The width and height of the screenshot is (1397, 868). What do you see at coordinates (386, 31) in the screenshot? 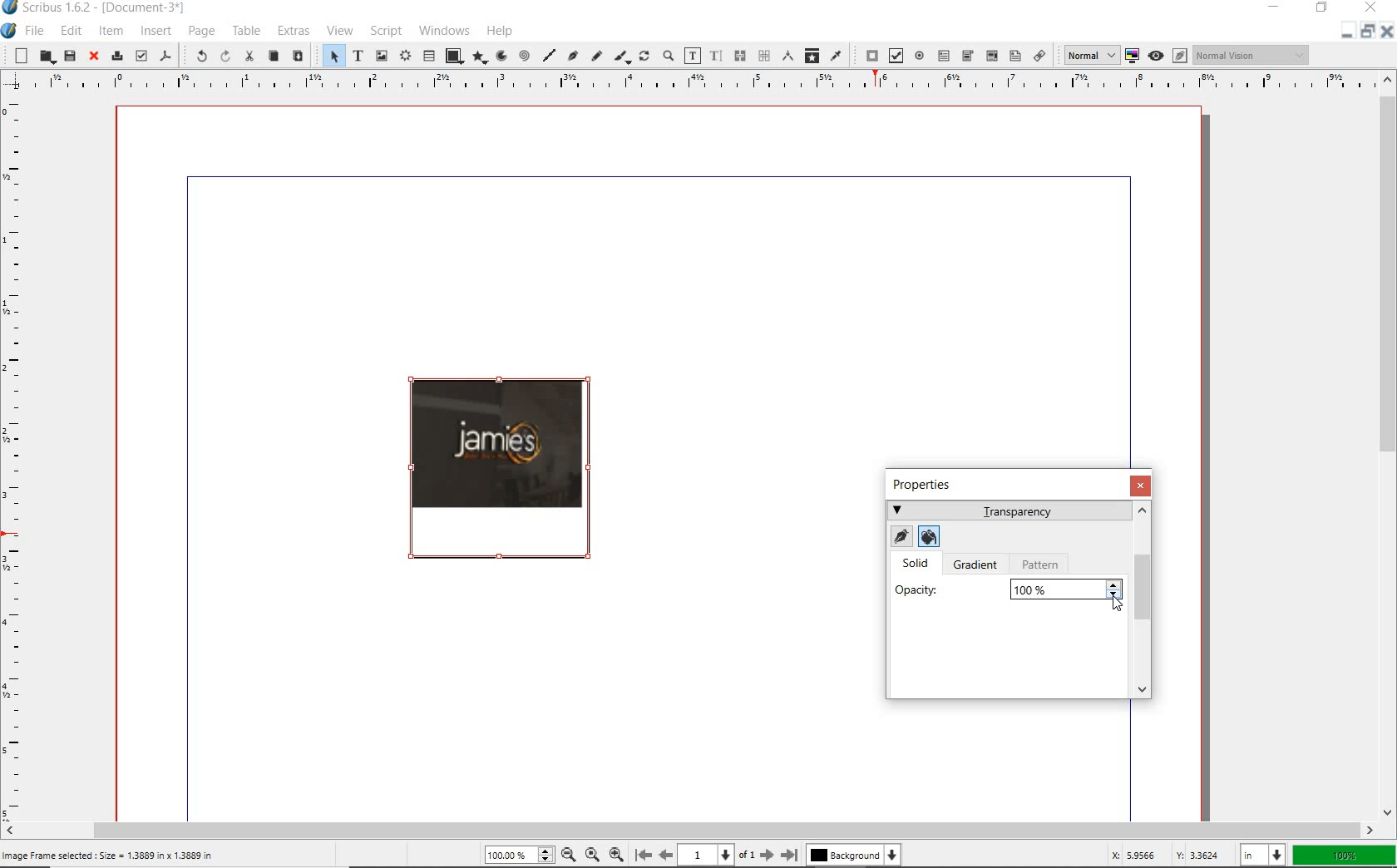
I see `SCRIPT` at bounding box center [386, 31].